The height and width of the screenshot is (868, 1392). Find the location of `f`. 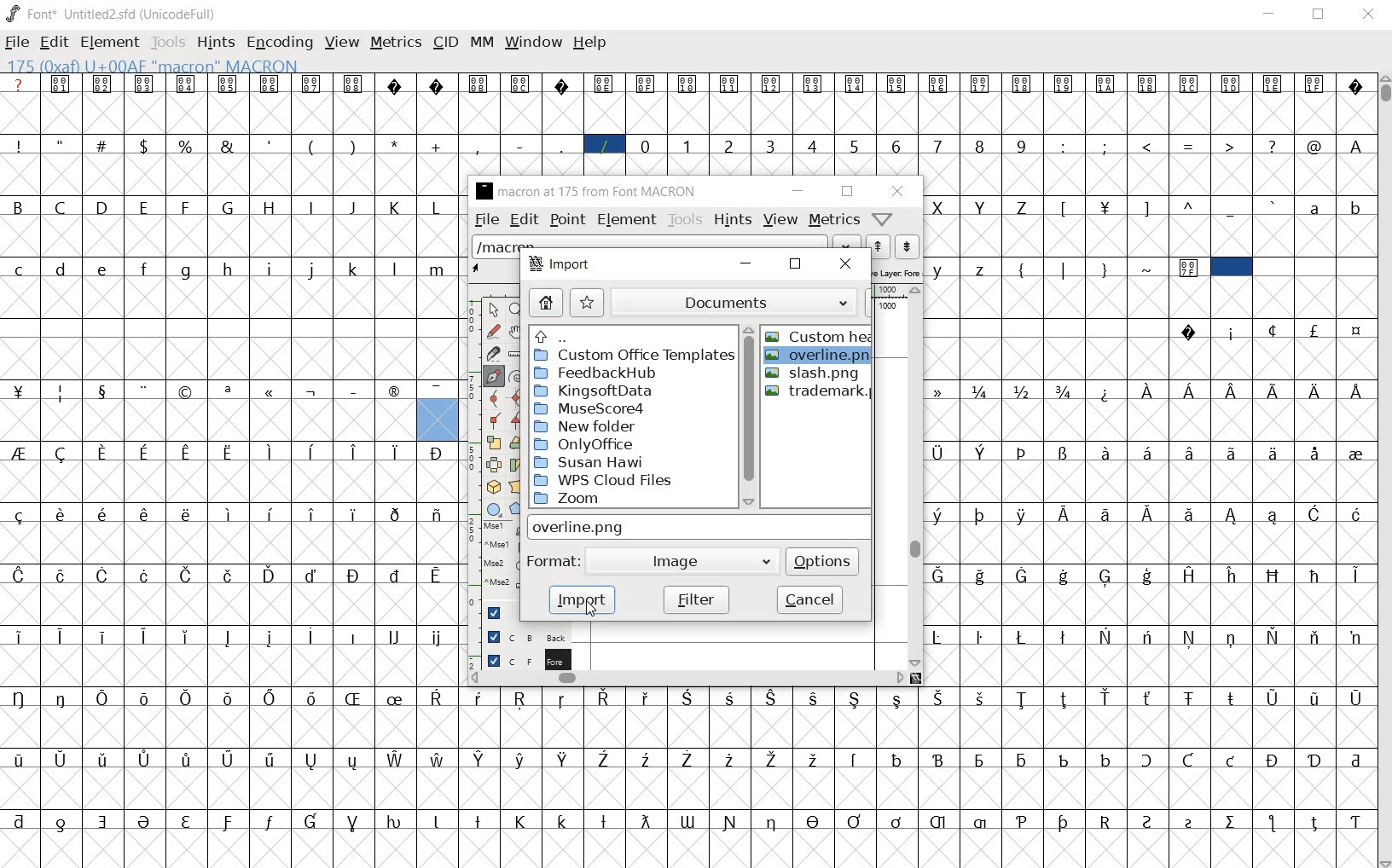

f is located at coordinates (148, 267).